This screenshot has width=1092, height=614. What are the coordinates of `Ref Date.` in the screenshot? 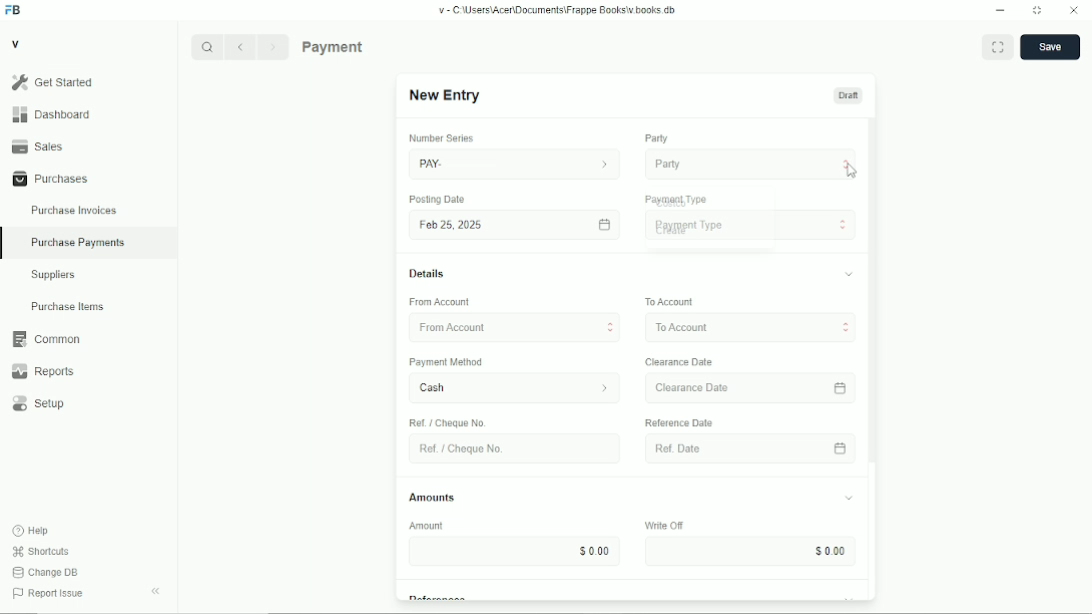 It's located at (738, 447).